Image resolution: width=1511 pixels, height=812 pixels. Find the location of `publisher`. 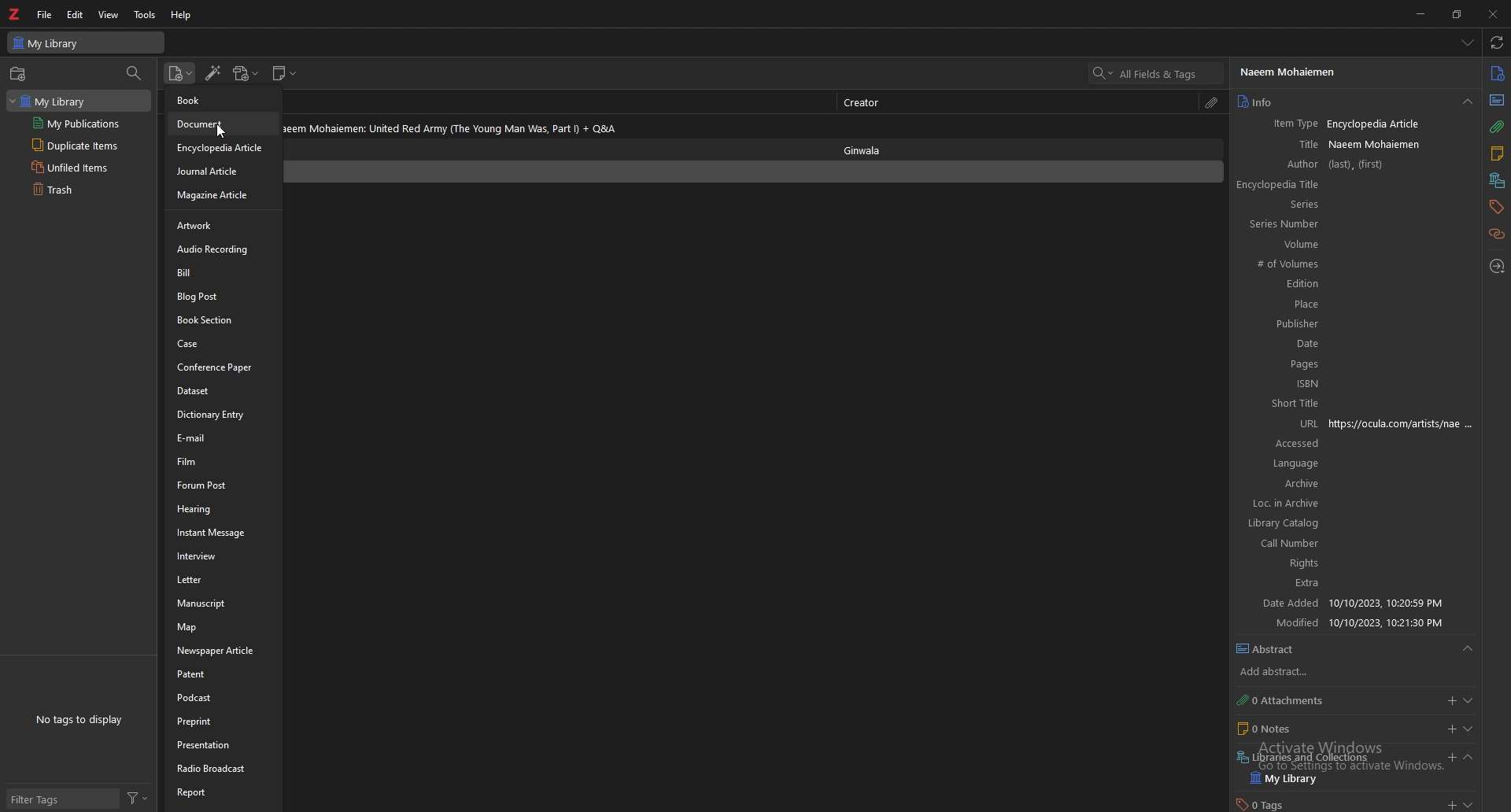

publisher is located at coordinates (1277, 325).